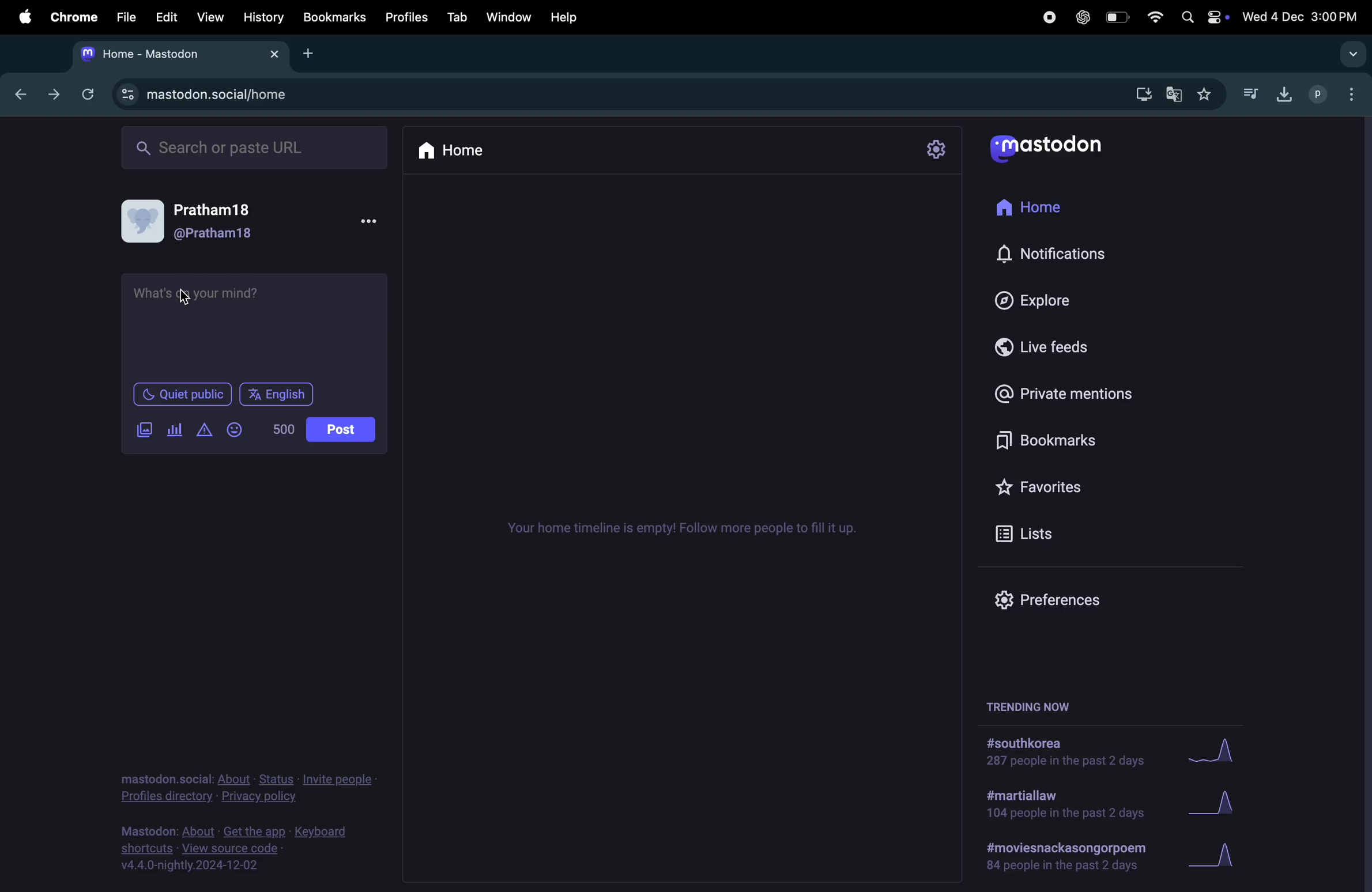 The width and height of the screenshot is (1372, 892). Describe the element at coordinates (569, 17) in the screenshot. I see `help` at that location.